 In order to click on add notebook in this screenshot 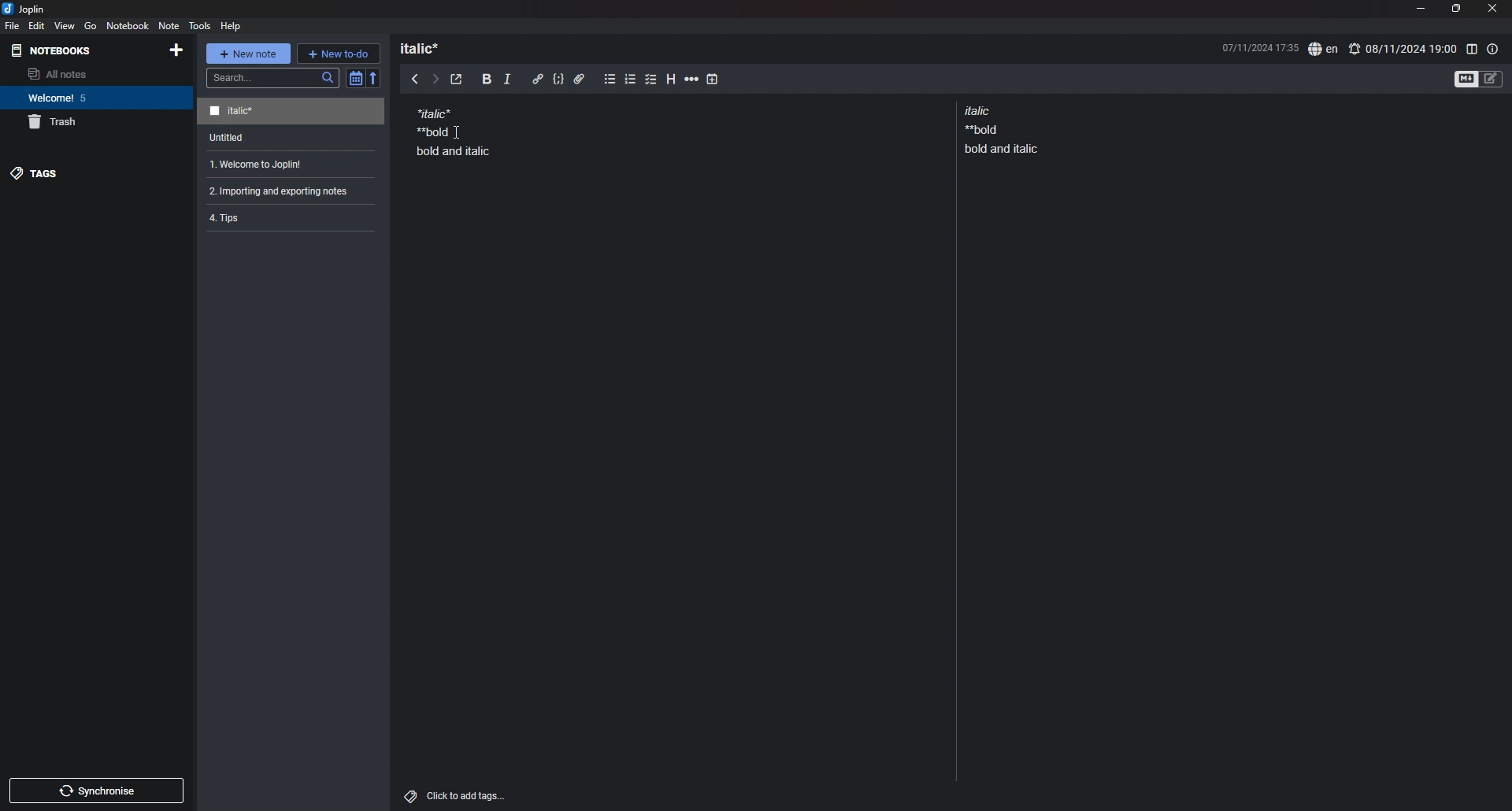, I will do `click(175, 50)`.